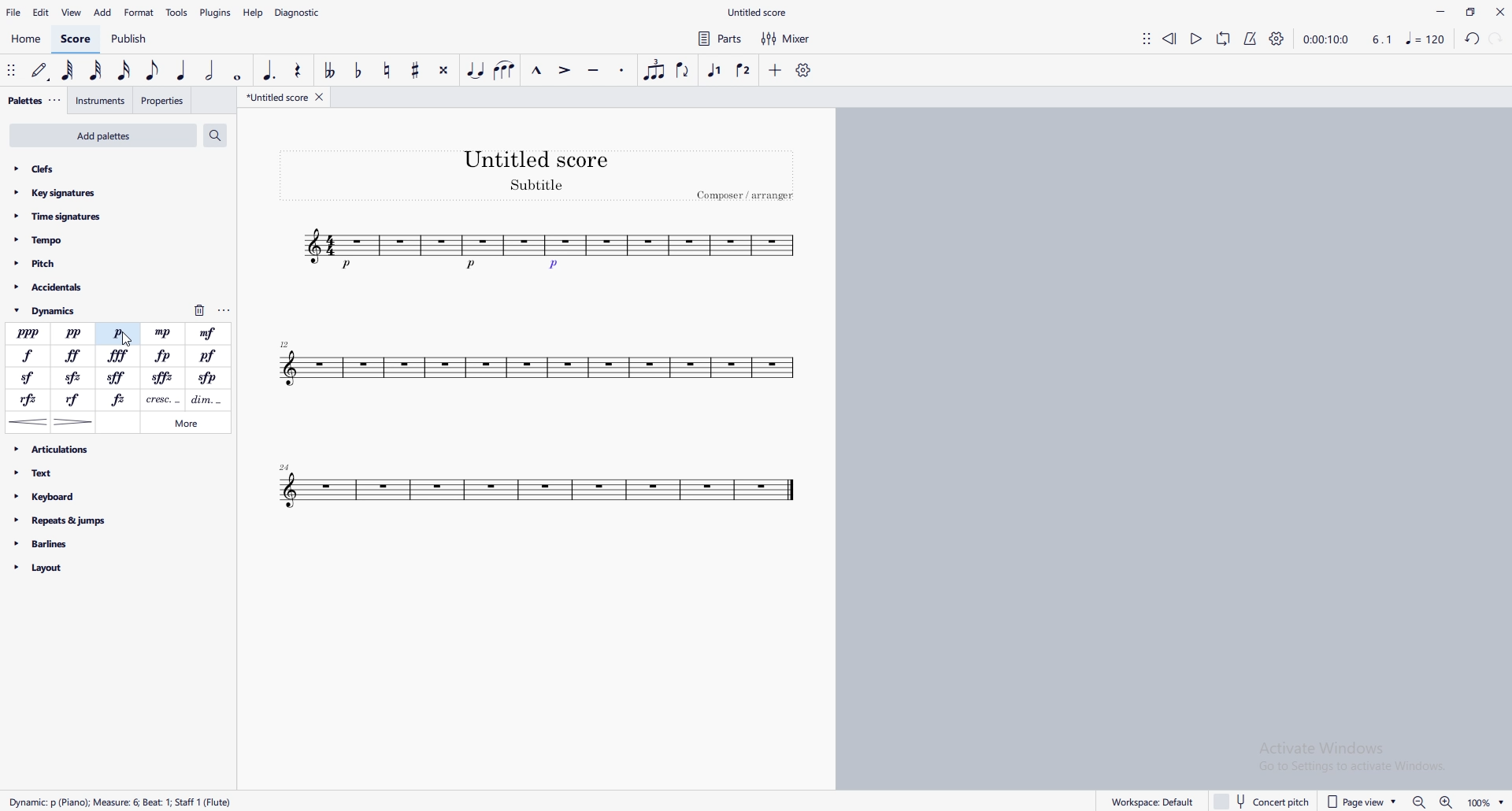  I want to click on accidentals, so click(90, 289).